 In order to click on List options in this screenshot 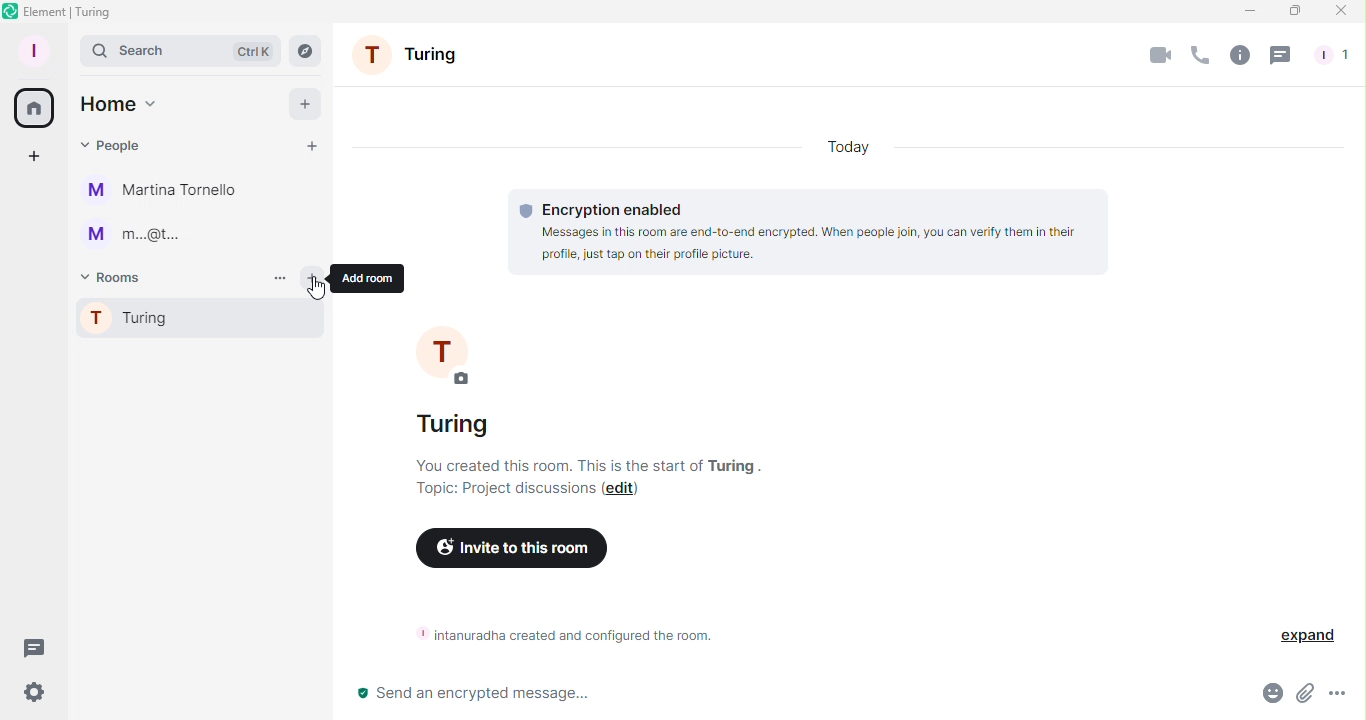, I will do `click(278, 276)`.